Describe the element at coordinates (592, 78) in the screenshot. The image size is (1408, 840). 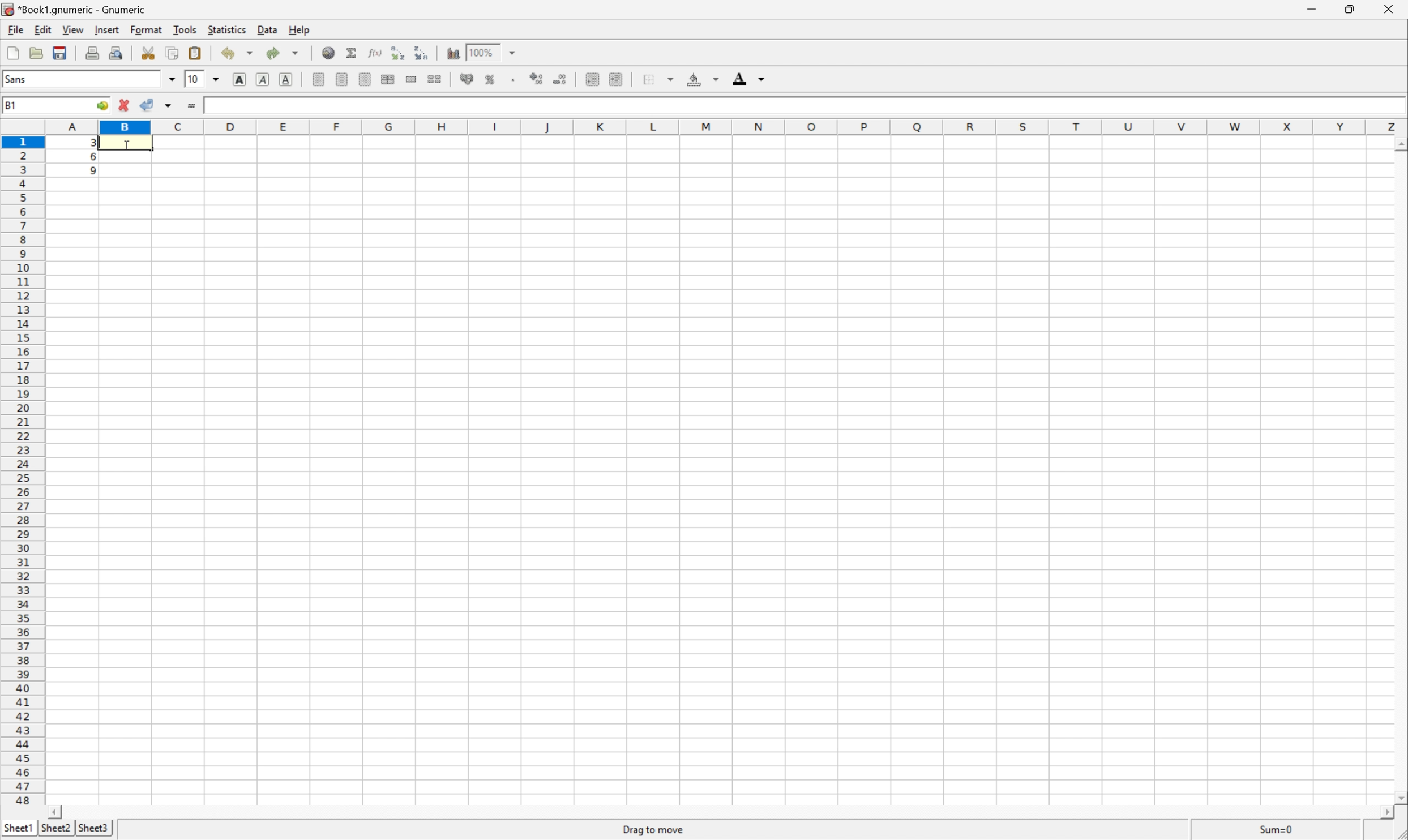
I see `Decrease indent, and align the contents to the left` at that location.